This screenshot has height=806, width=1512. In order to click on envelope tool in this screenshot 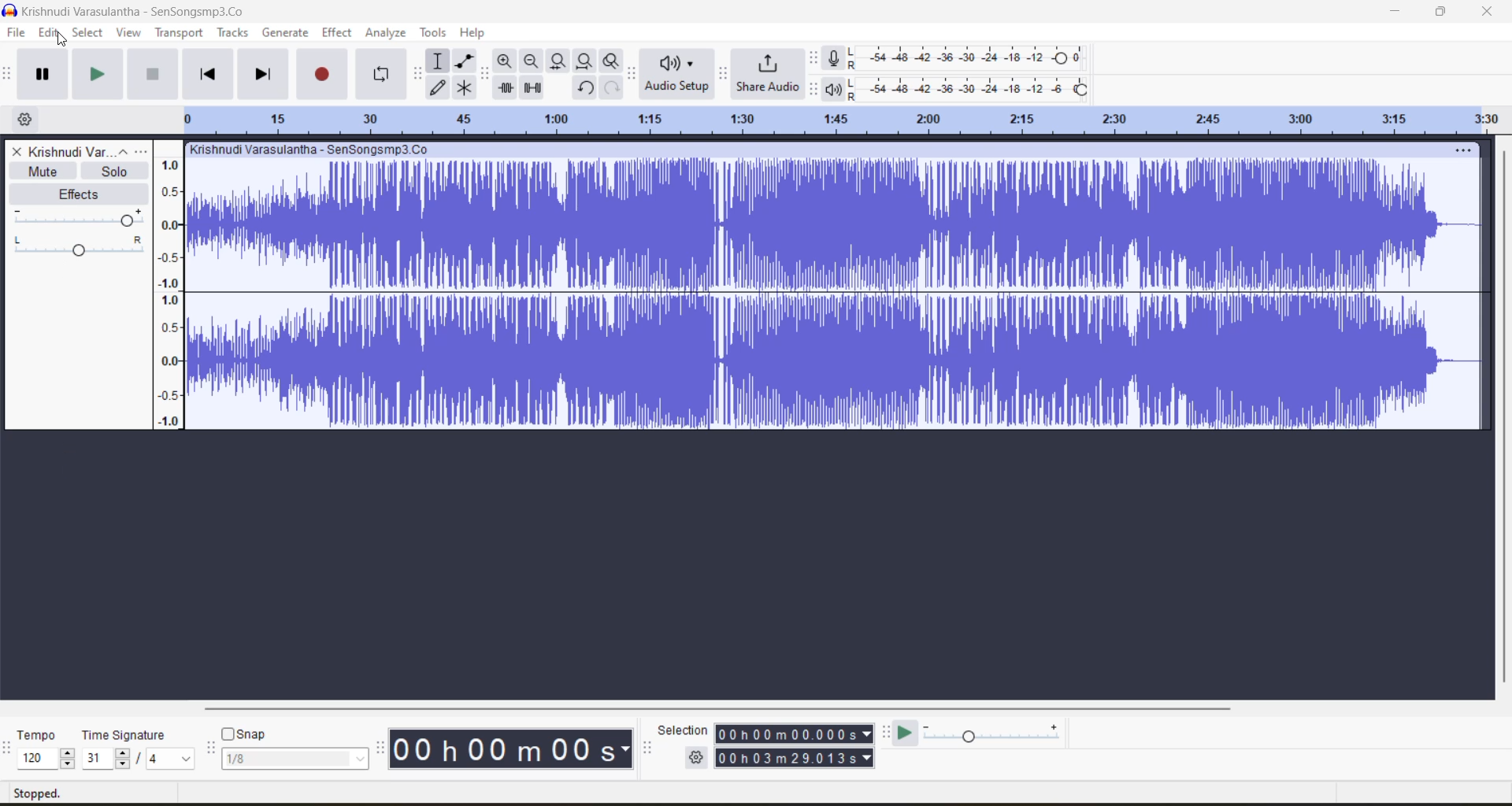, I will do `click(465, 61)`.